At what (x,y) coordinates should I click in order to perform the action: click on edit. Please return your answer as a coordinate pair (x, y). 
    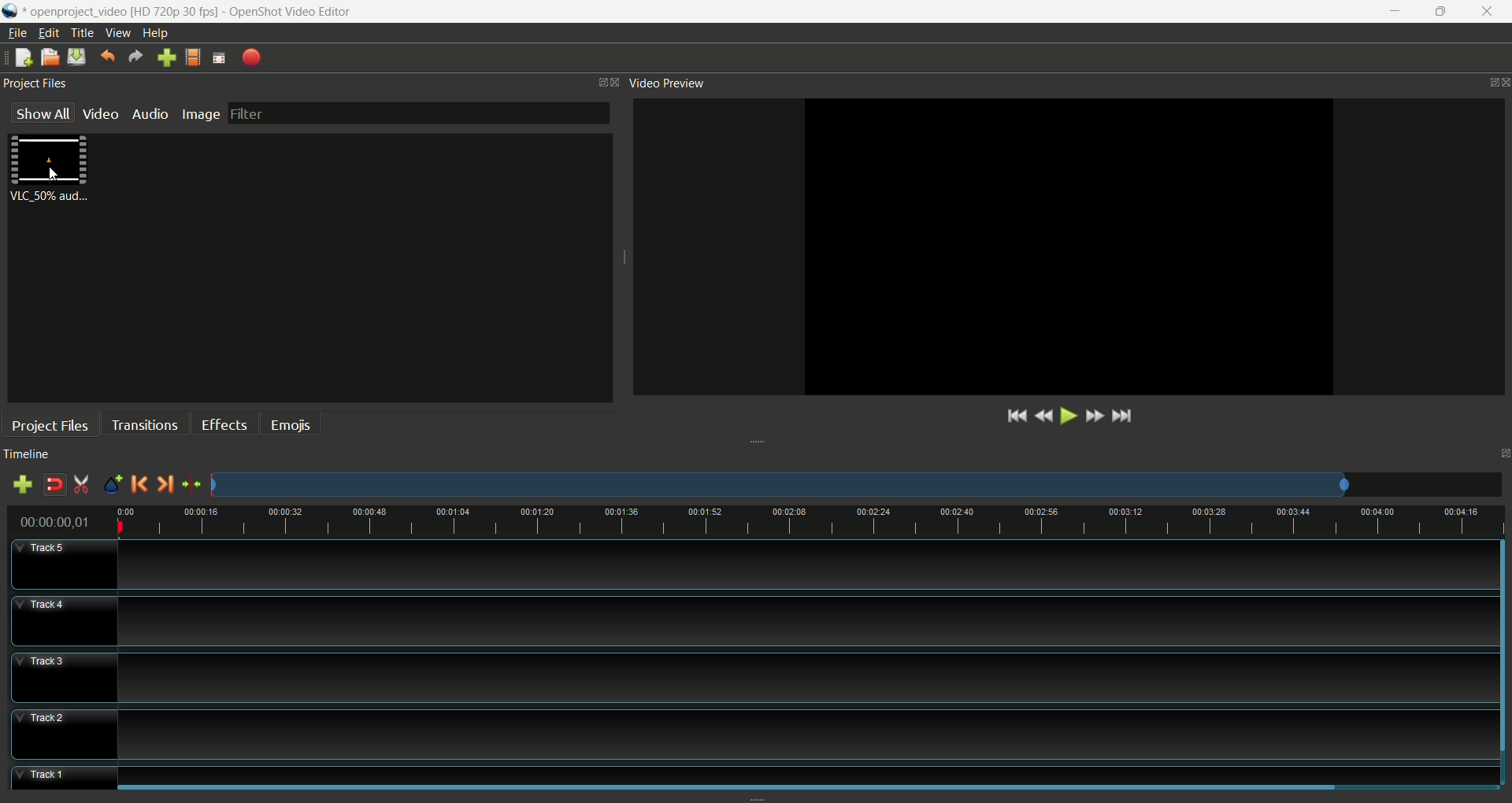
    Looking at the image, I should click on (48, 32).